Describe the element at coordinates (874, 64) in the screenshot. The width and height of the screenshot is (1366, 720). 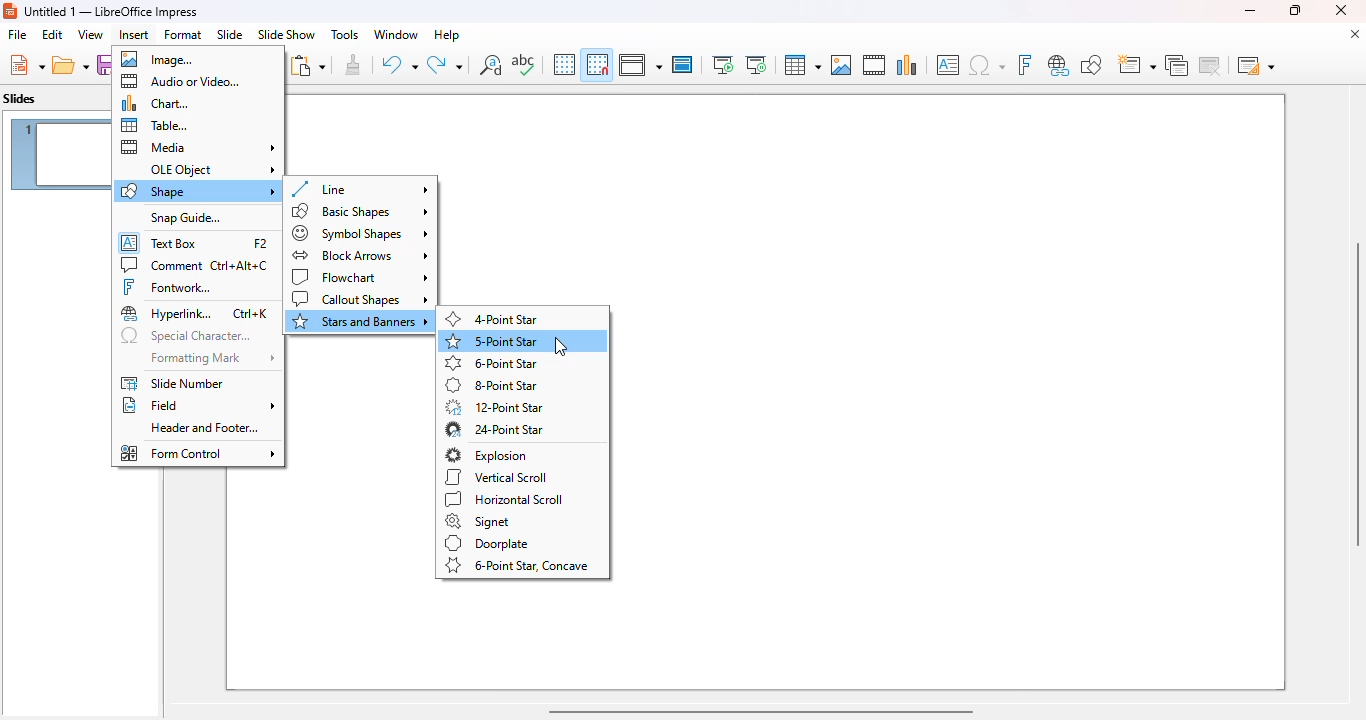
I see `insert audio or video` at that location.